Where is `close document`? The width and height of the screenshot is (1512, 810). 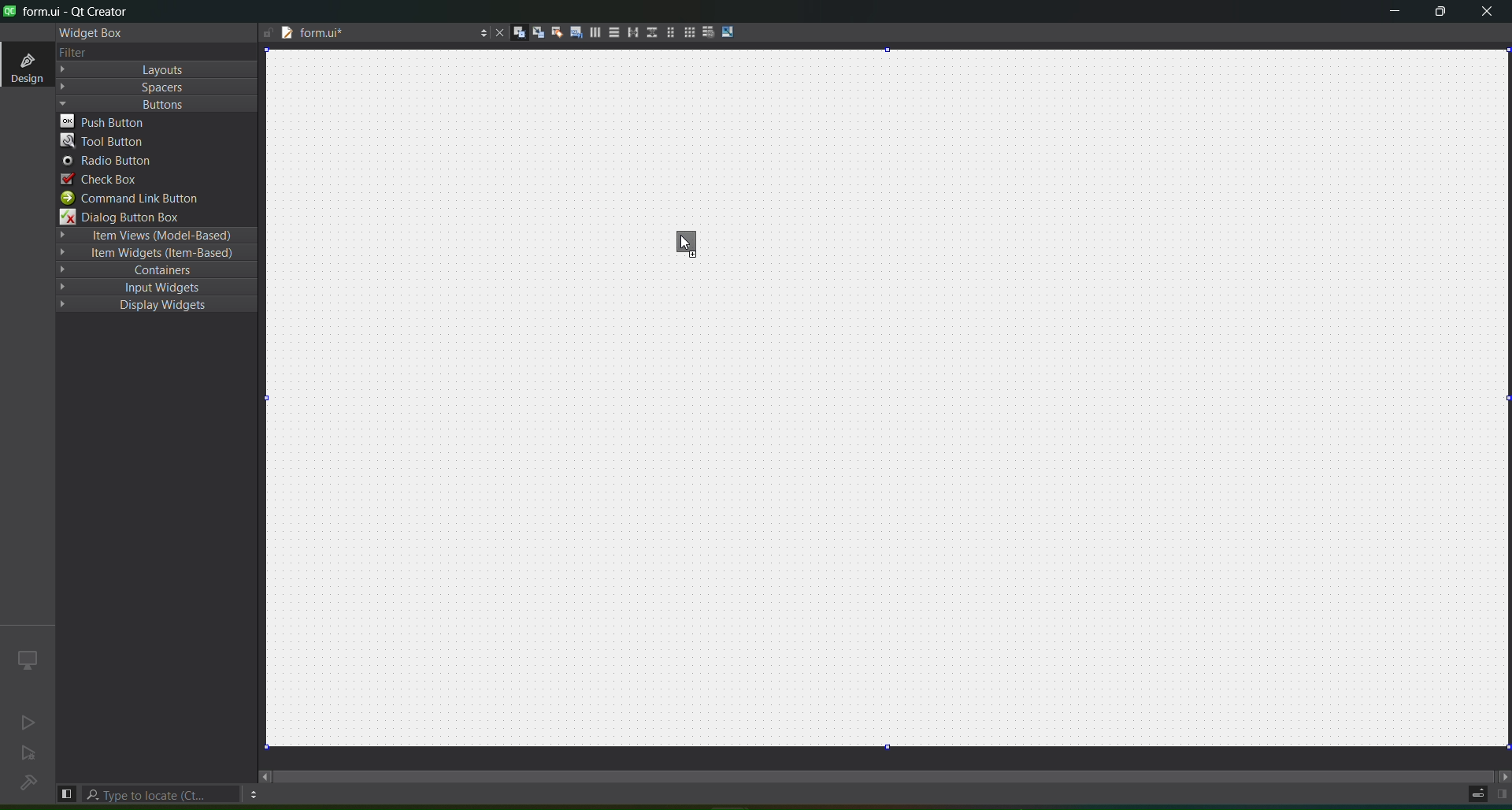
close document is located at coordinates (498, 33).